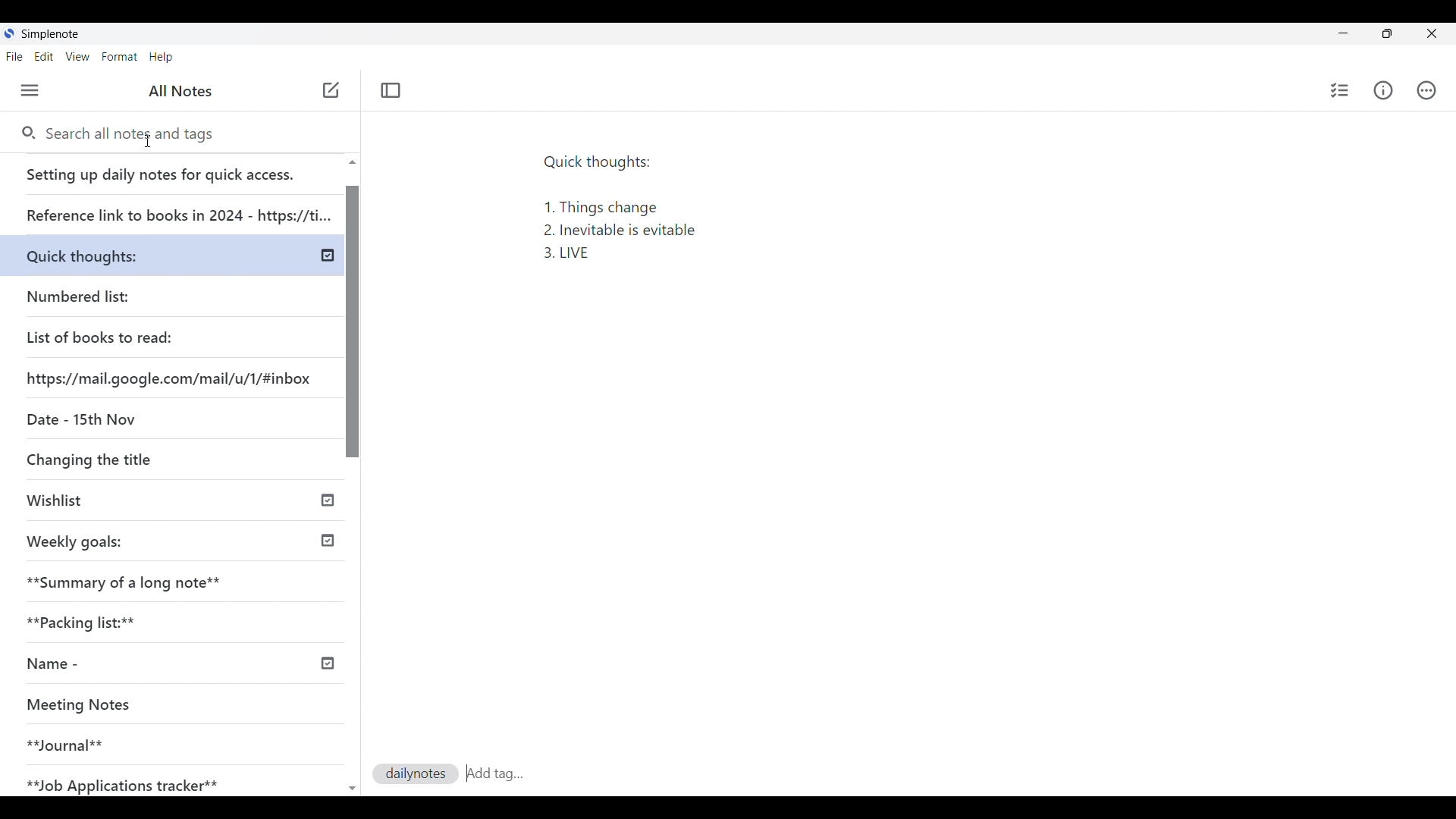  I want to click on Search notes and tags, so click(140, 134).